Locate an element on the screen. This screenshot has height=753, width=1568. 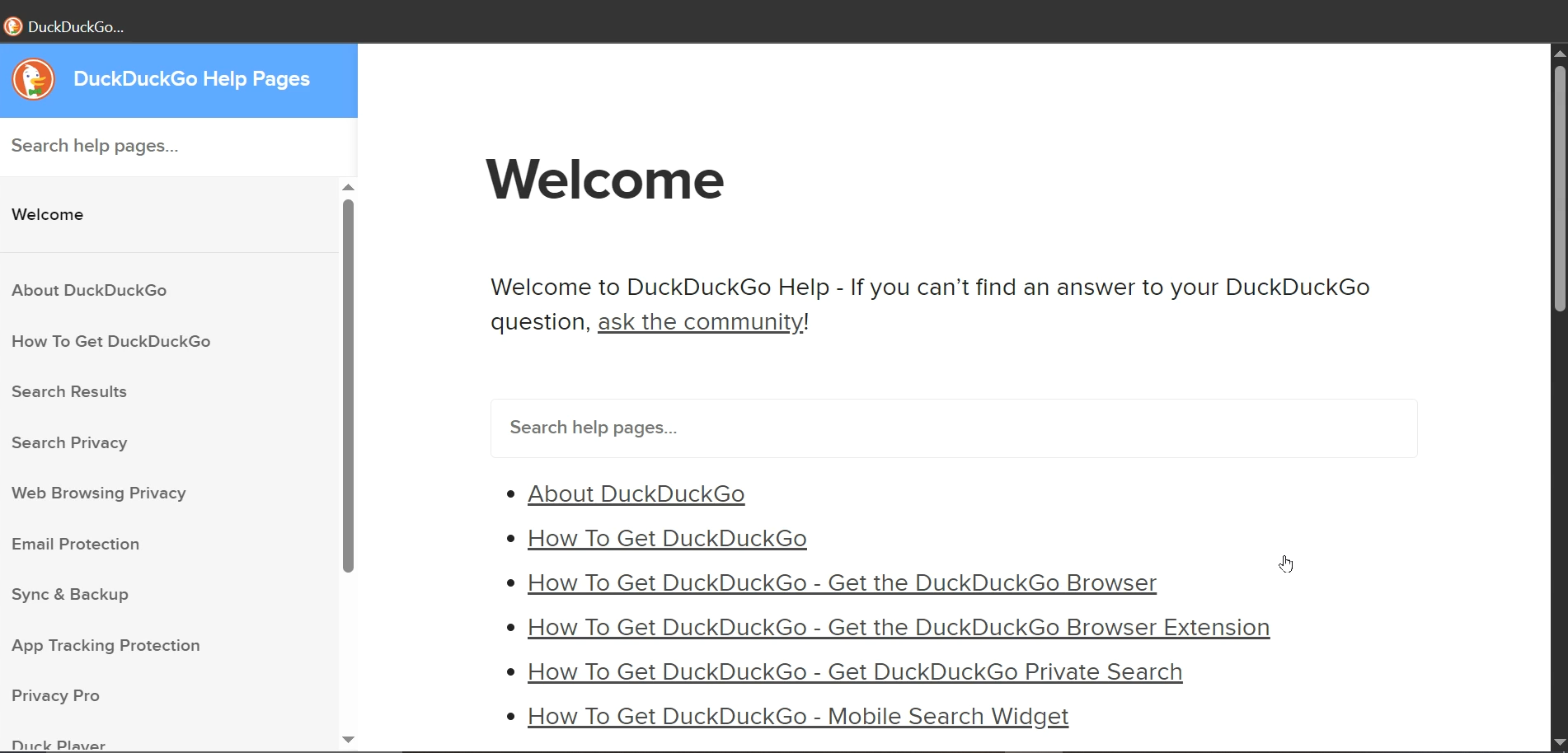
Email Protection is located at coordinates (74, 544).